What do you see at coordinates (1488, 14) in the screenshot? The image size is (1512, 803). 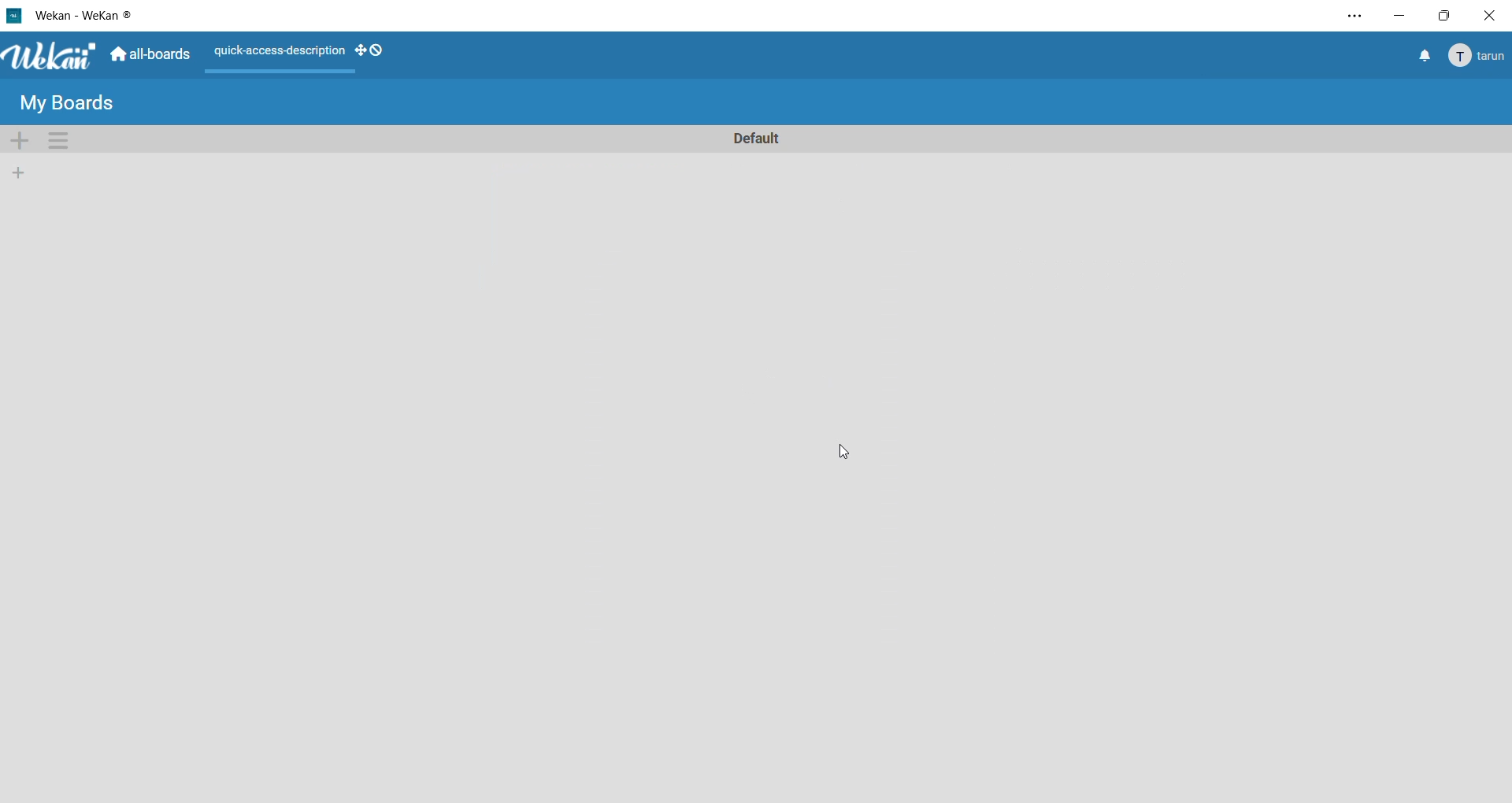 I see `close` at bounding box center [1488, 14].